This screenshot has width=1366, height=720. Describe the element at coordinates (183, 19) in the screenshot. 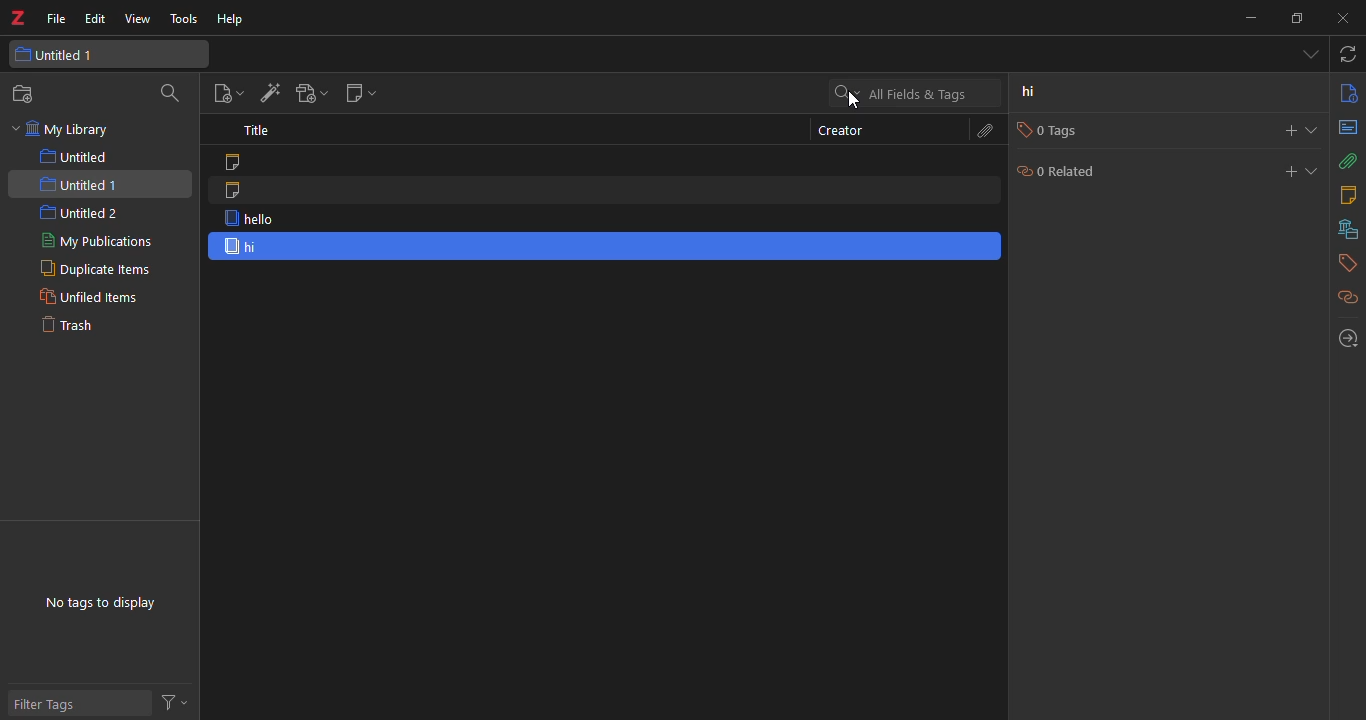

I see `tools` at that location.